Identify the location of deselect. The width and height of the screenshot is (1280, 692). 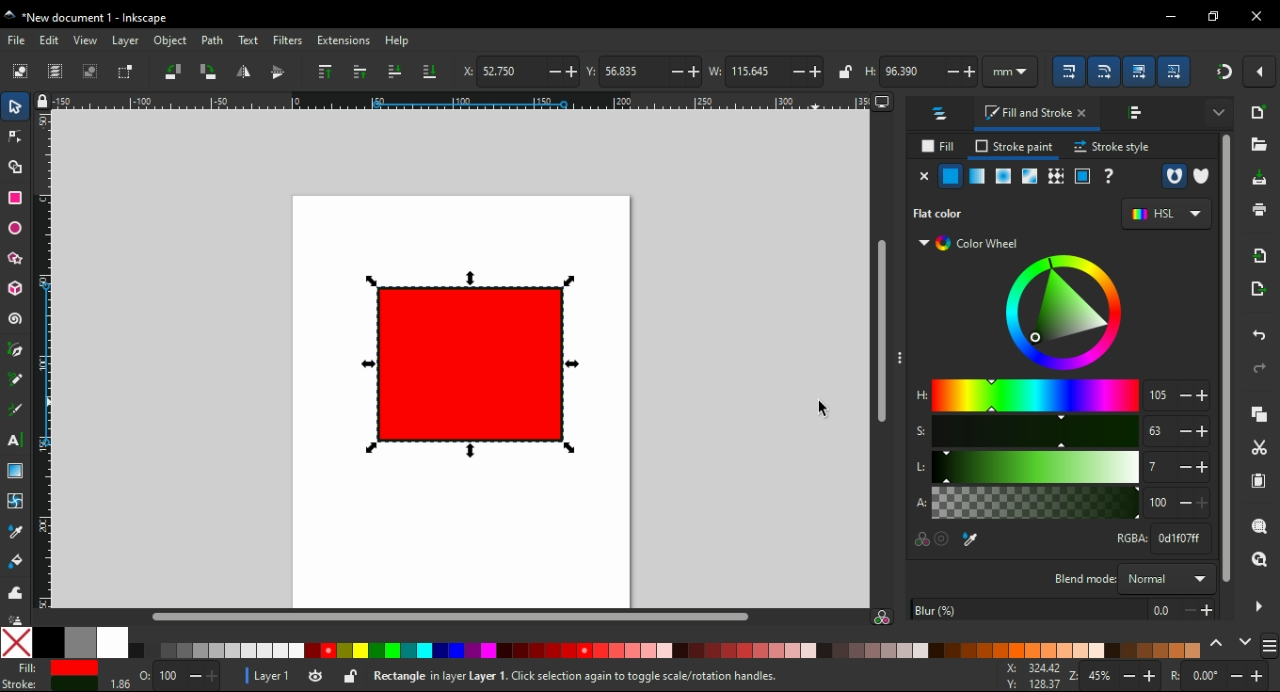
(90, 71).